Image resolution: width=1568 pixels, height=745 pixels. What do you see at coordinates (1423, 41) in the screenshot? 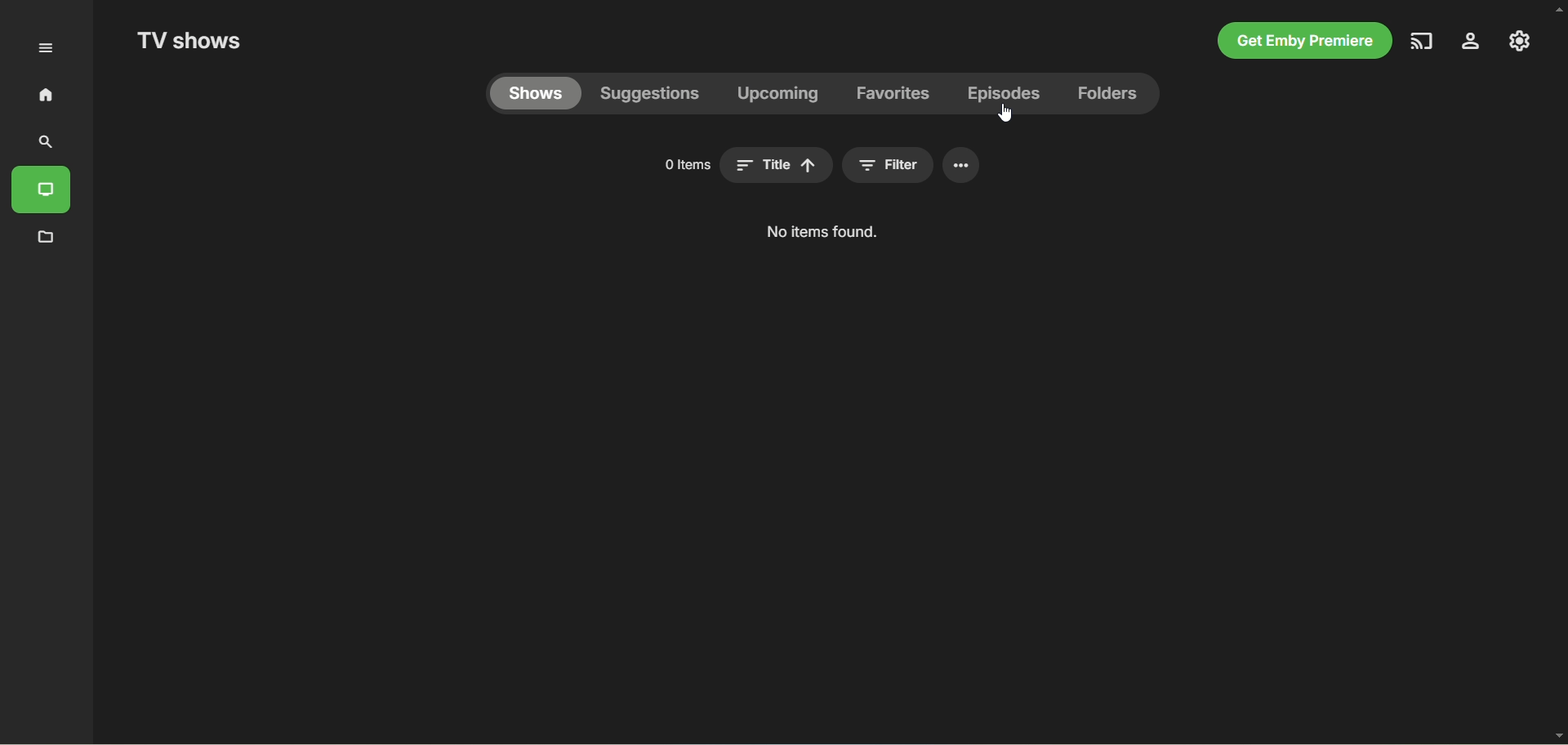
I see `play on another device` at bounding box center [1423, 41].